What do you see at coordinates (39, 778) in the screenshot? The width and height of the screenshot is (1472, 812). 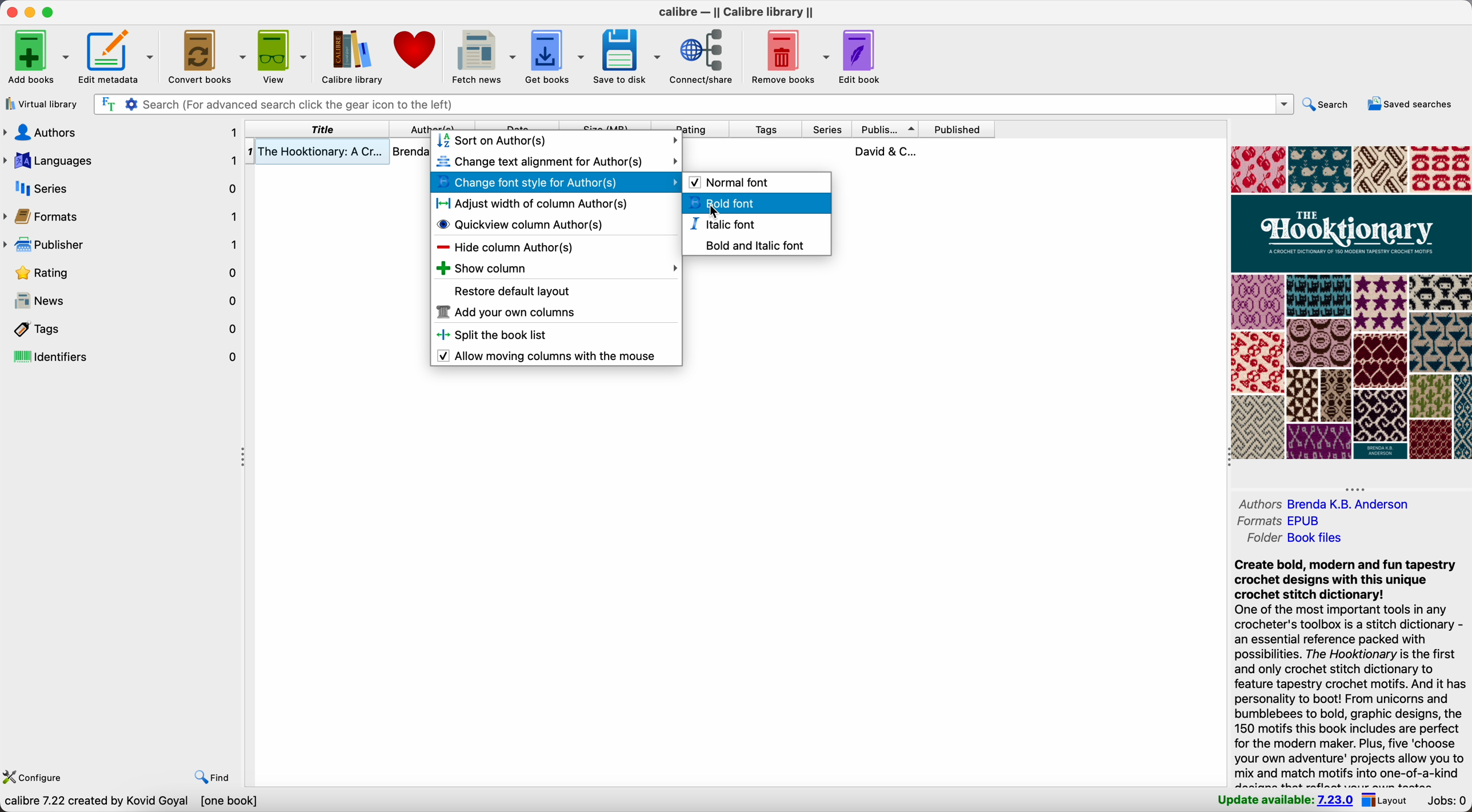 I see `configure` at bounding box center [39, 778].